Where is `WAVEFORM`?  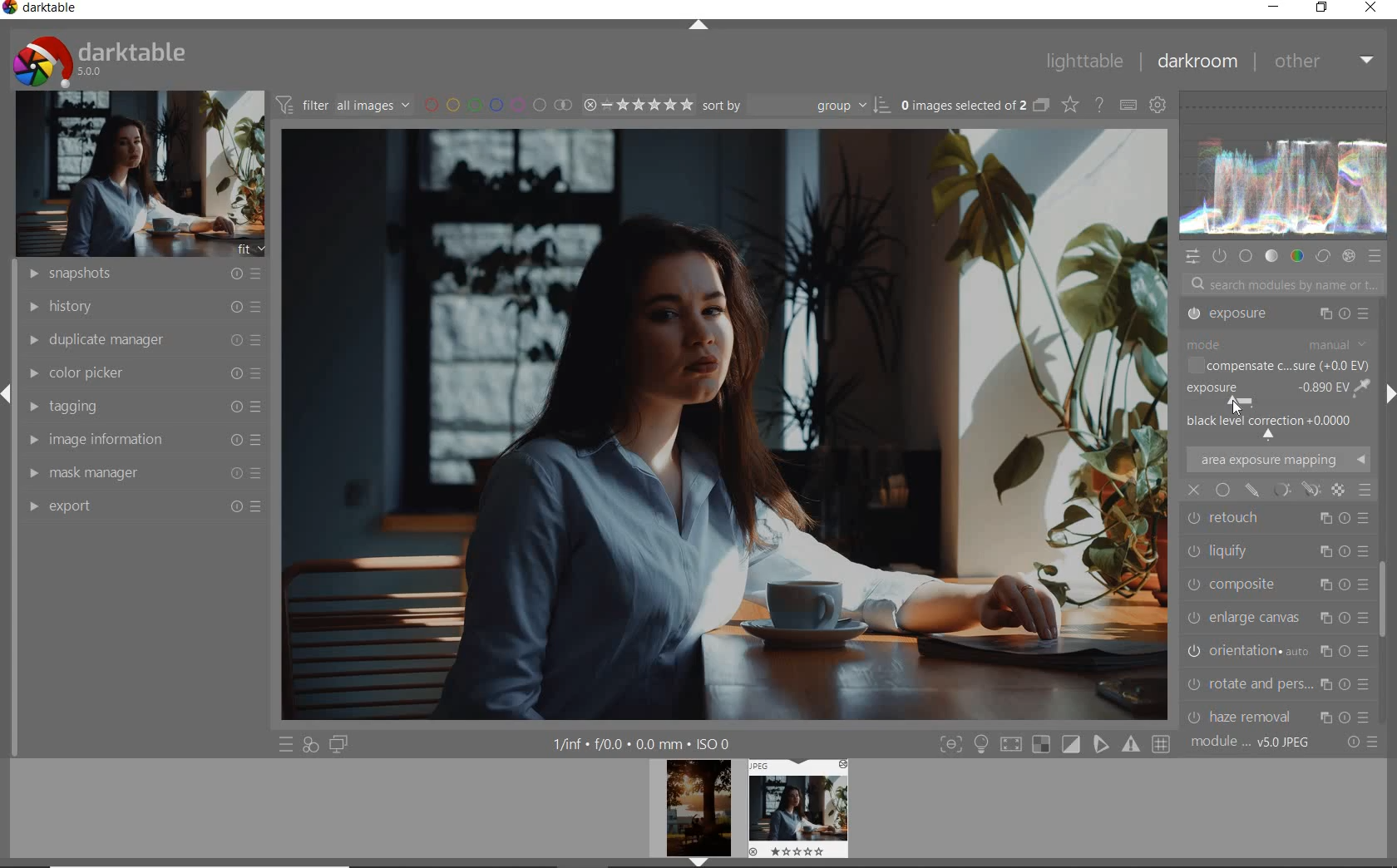
WAVEFORM is located at coordinates (1285, 165).